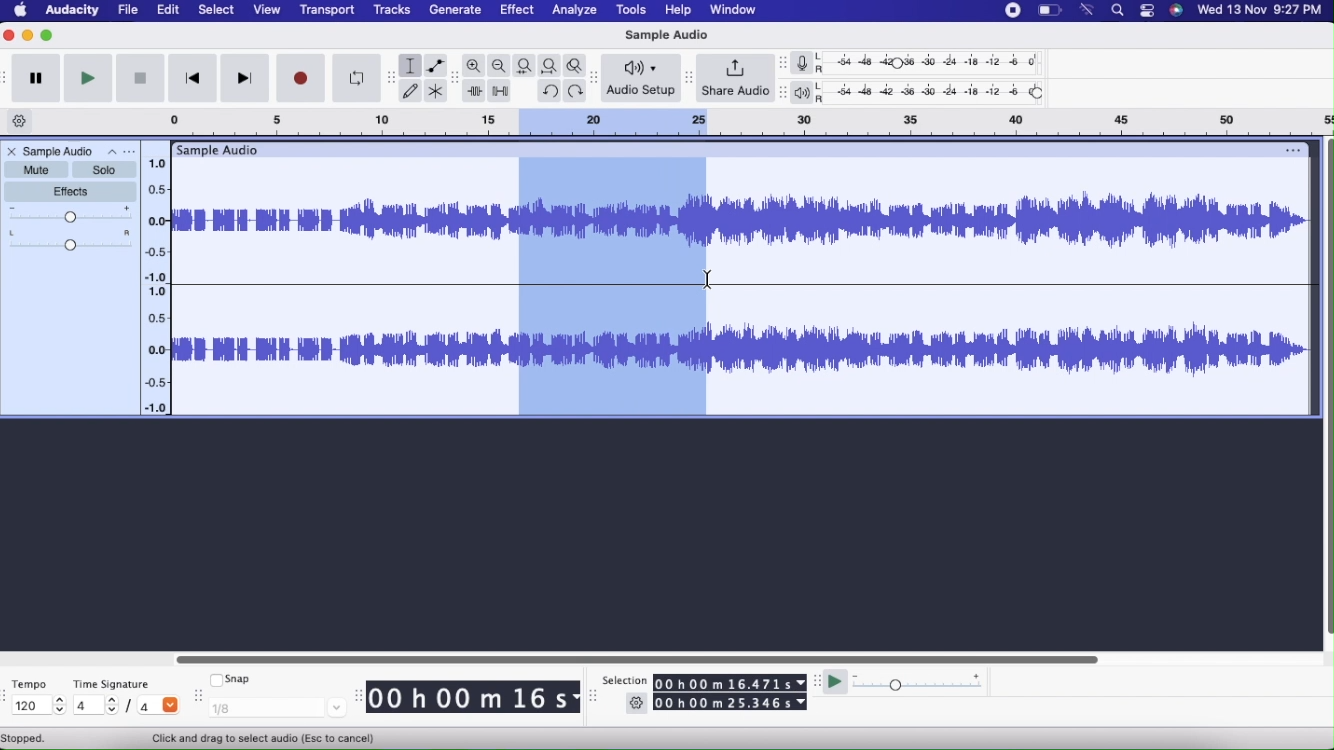 This screenshot has width=1334, height=750. I want to click on move toolbar, so click(197, 692).